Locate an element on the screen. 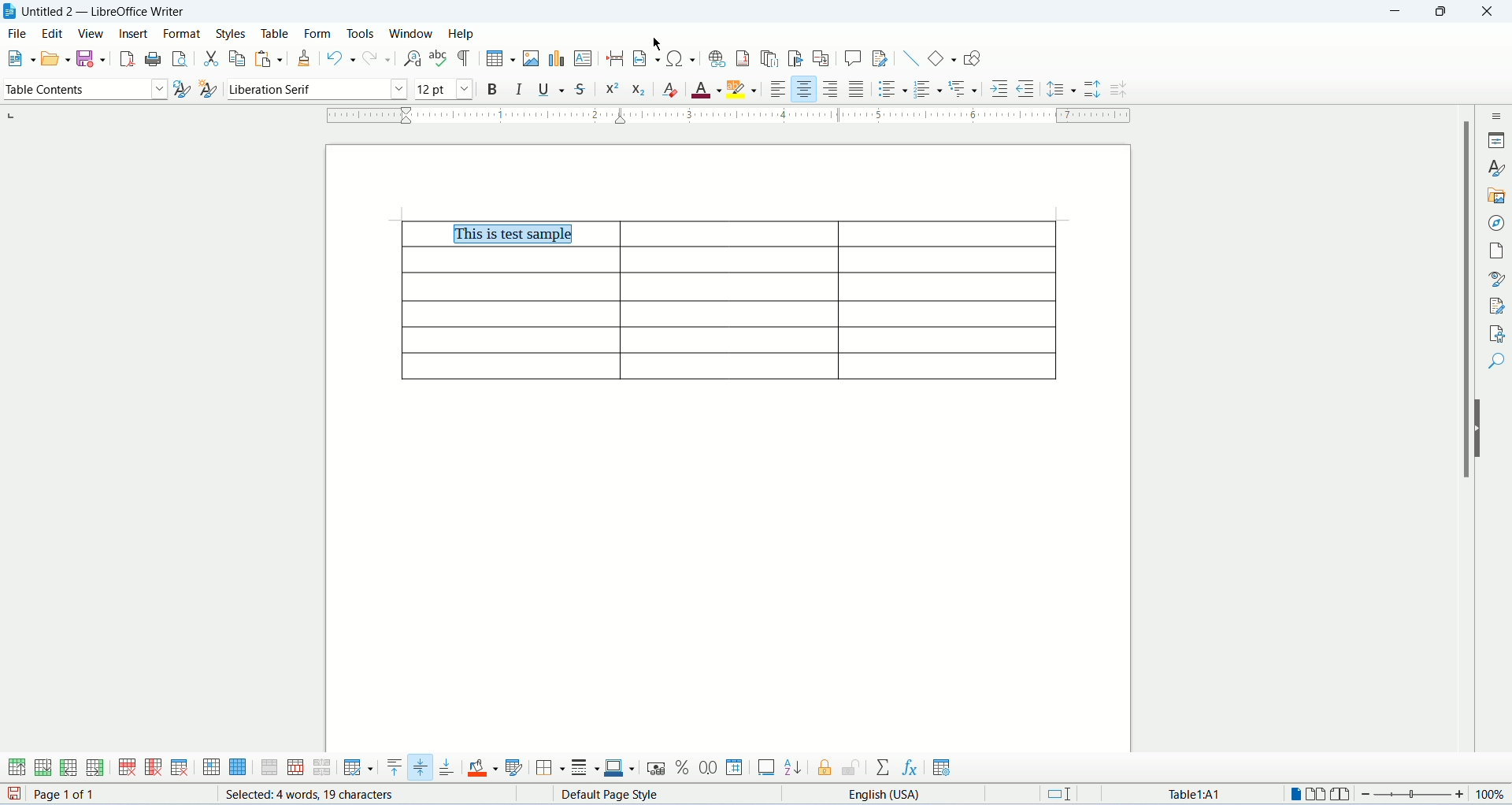 This screenshot has width=1512, height=805. new is located at coordinates (19, 57).